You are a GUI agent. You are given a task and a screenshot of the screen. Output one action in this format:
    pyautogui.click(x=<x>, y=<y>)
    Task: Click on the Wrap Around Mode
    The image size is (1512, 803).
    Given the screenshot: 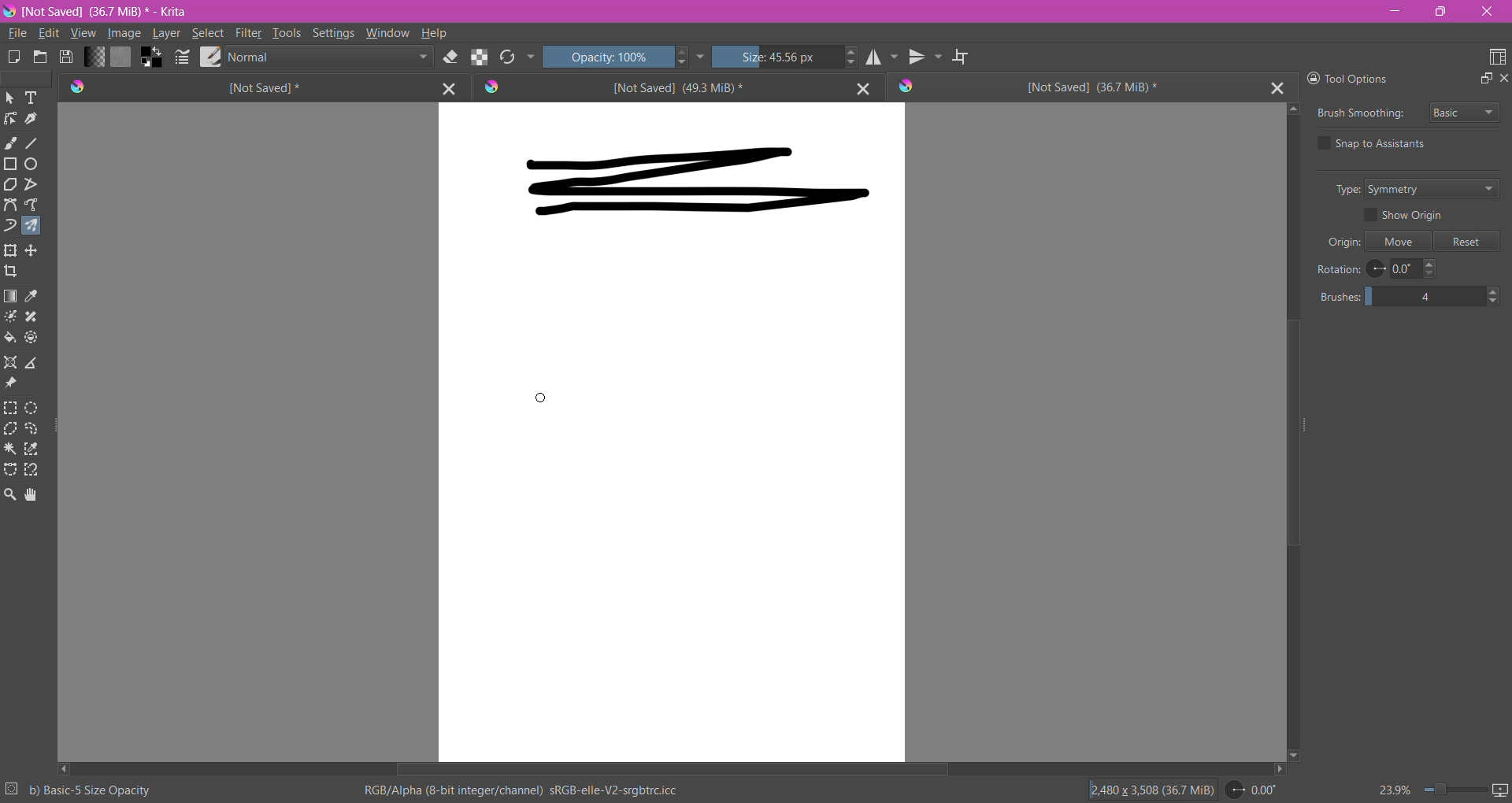 What is the action you would take?
    pyautogui.click(x=962, y=57)
    